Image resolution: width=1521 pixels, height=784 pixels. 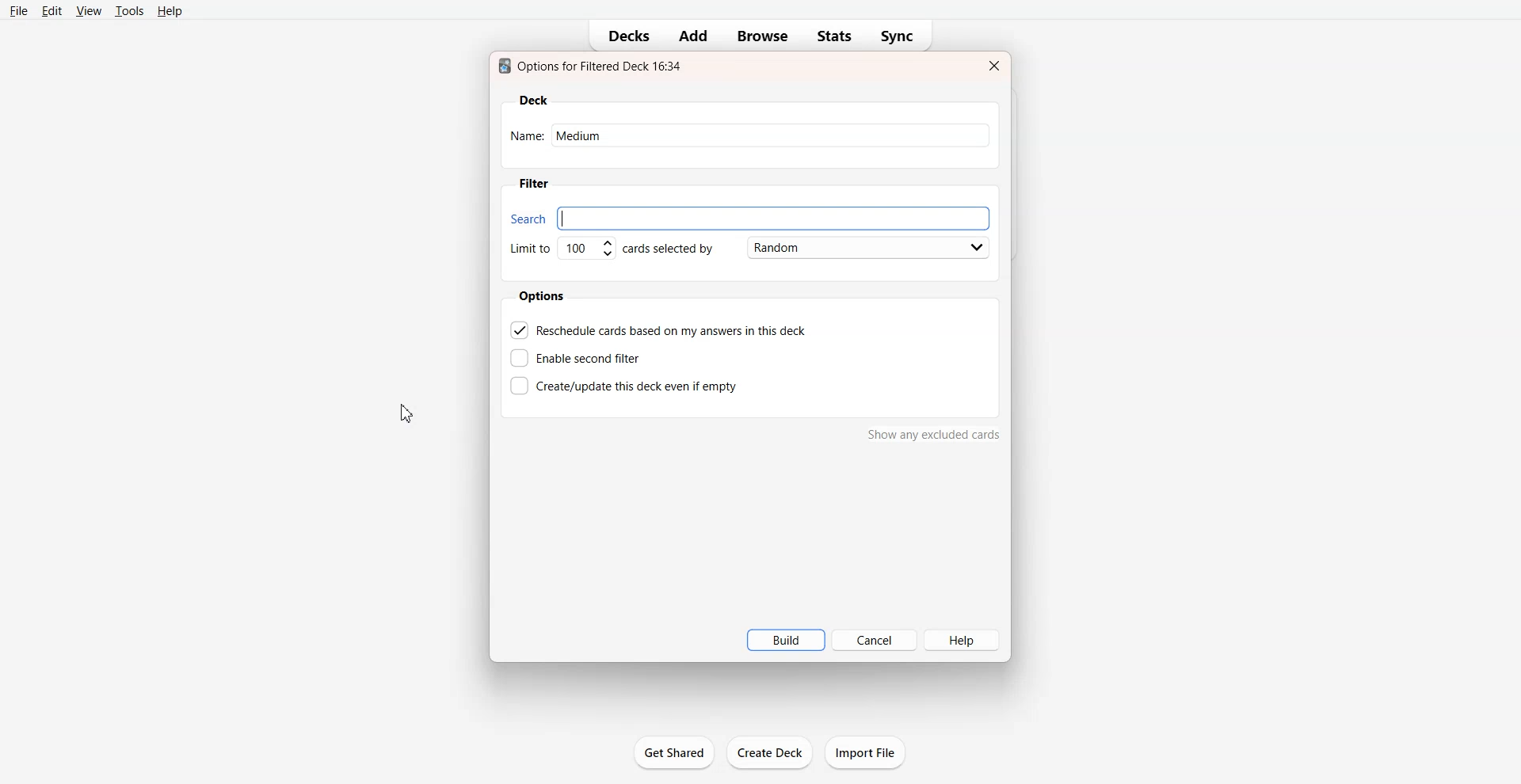 I want to click on Deck, so click(x=534, y=101).